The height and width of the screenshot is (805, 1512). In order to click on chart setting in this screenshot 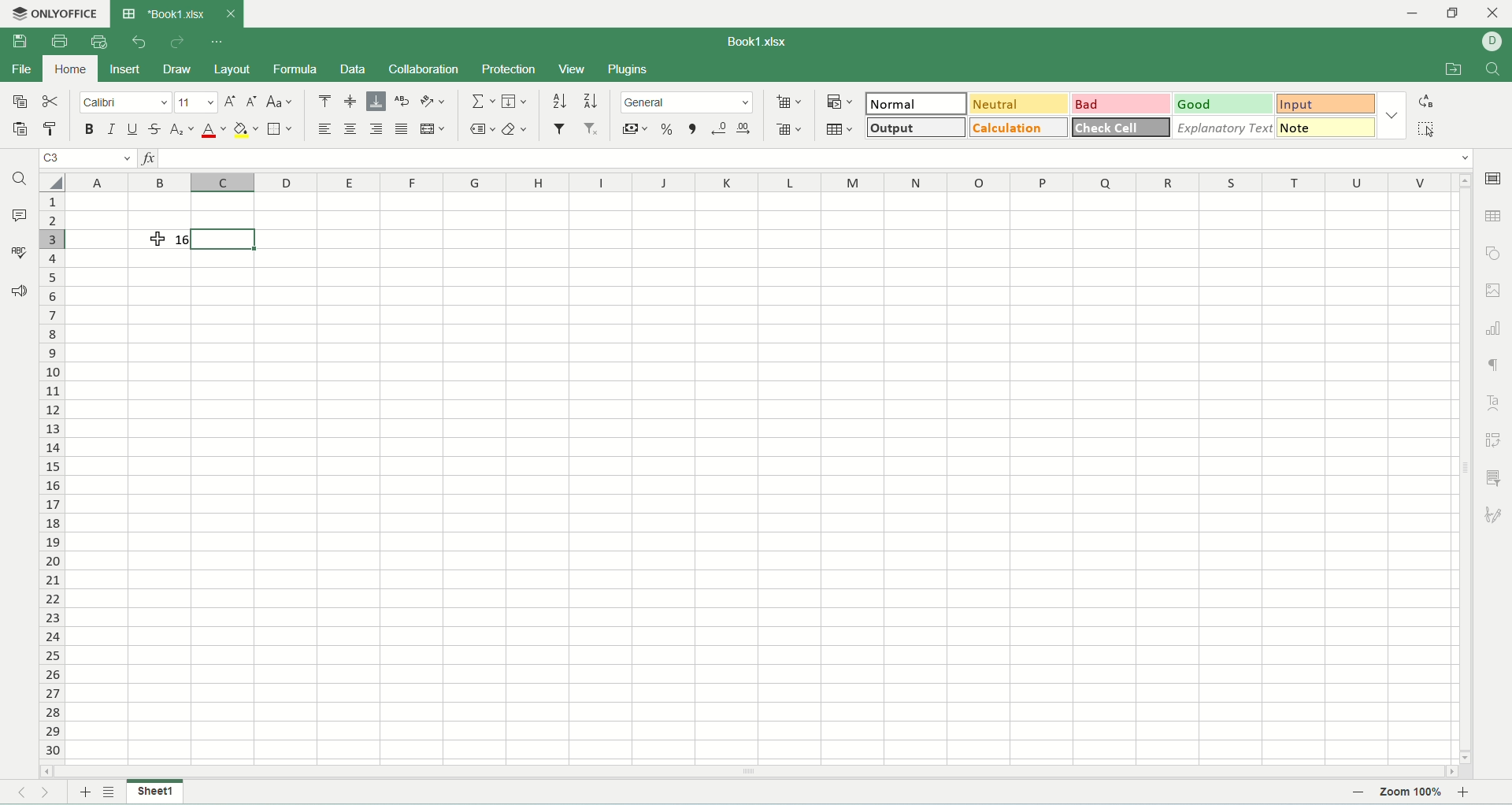, I will do `click(1495, 325)`.